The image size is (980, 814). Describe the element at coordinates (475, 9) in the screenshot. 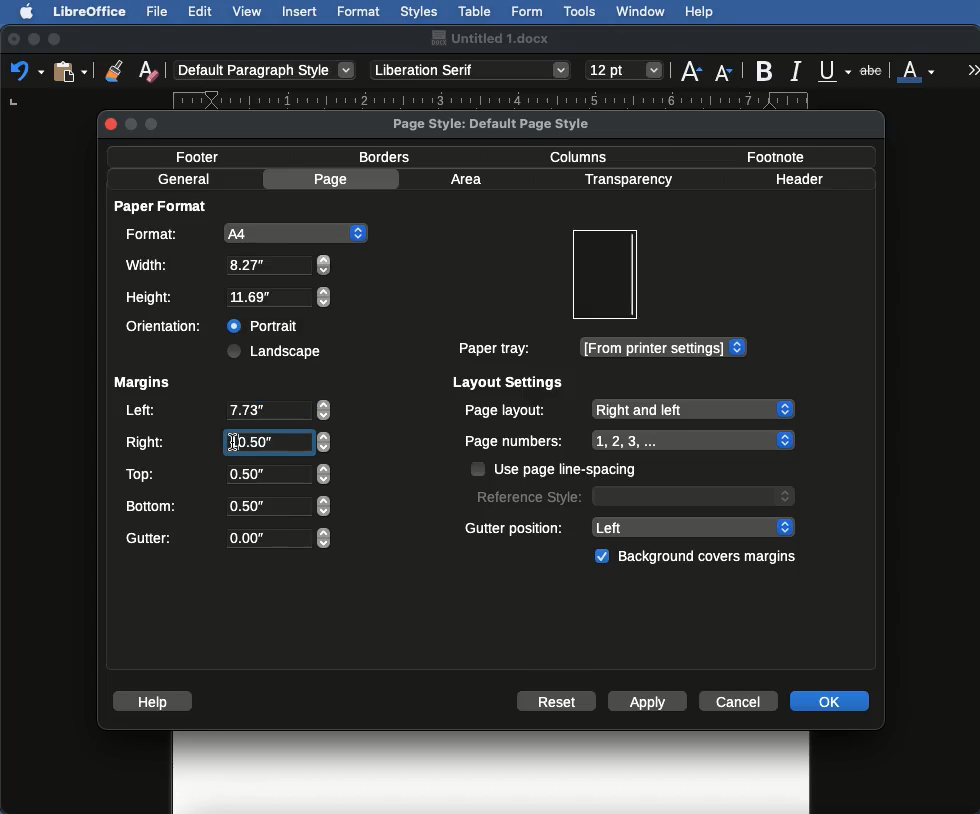

I see `Table` at that location.